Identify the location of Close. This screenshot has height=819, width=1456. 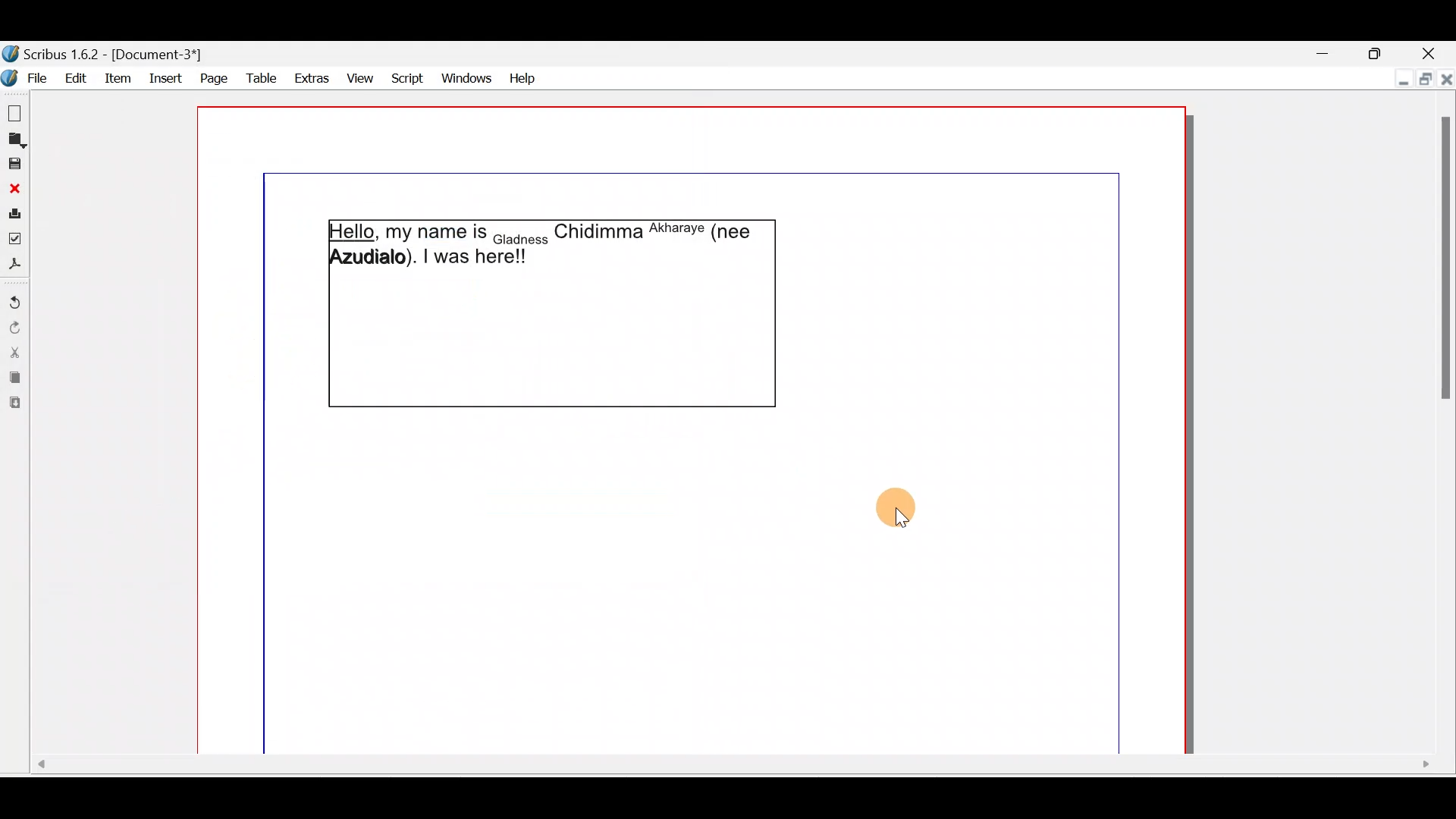
(1447, 83).